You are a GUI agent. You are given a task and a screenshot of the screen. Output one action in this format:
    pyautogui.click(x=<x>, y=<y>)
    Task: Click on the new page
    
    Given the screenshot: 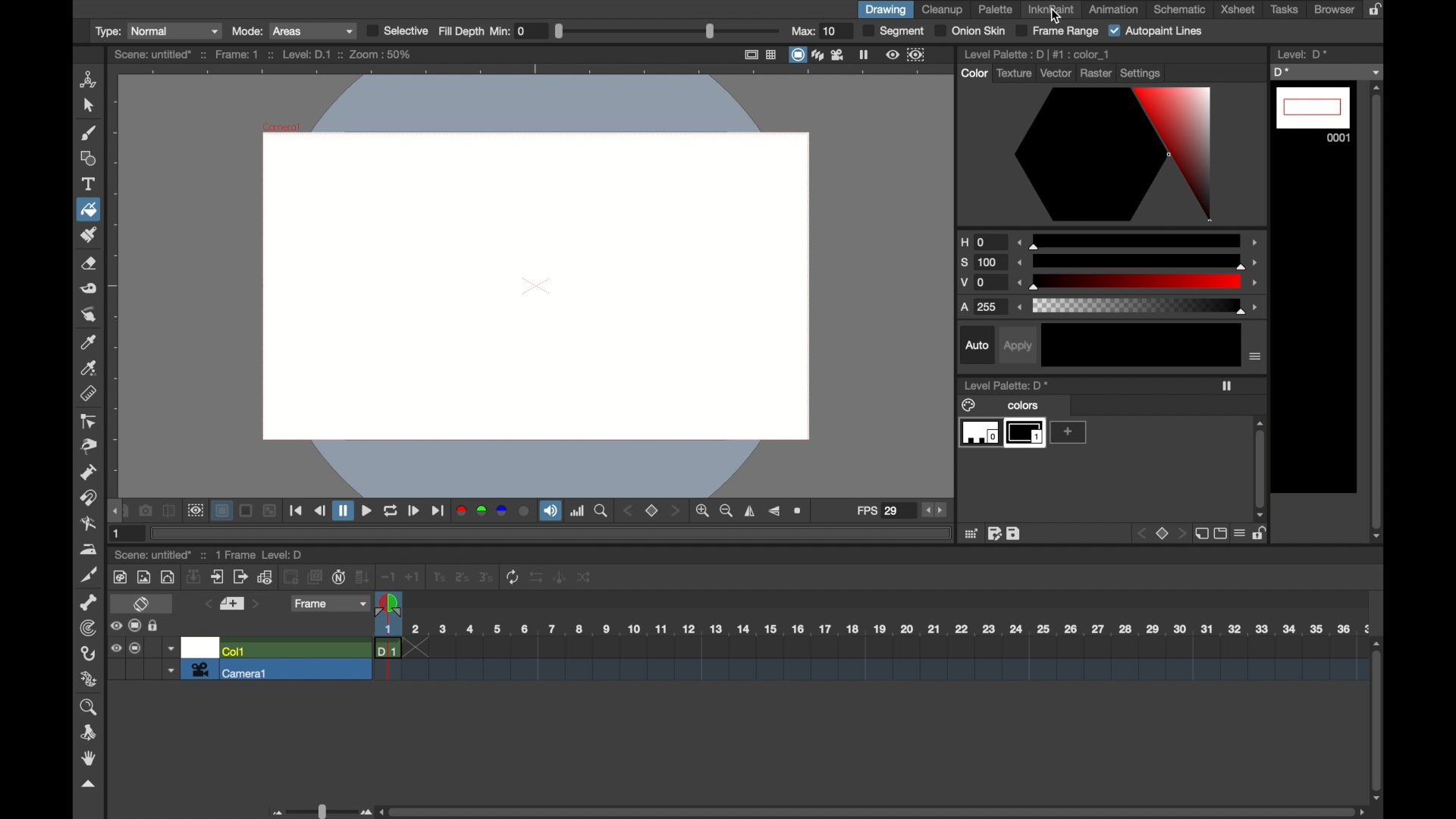 What is the action you would take?
    pyautogui.click(x=1200, y=534)
    